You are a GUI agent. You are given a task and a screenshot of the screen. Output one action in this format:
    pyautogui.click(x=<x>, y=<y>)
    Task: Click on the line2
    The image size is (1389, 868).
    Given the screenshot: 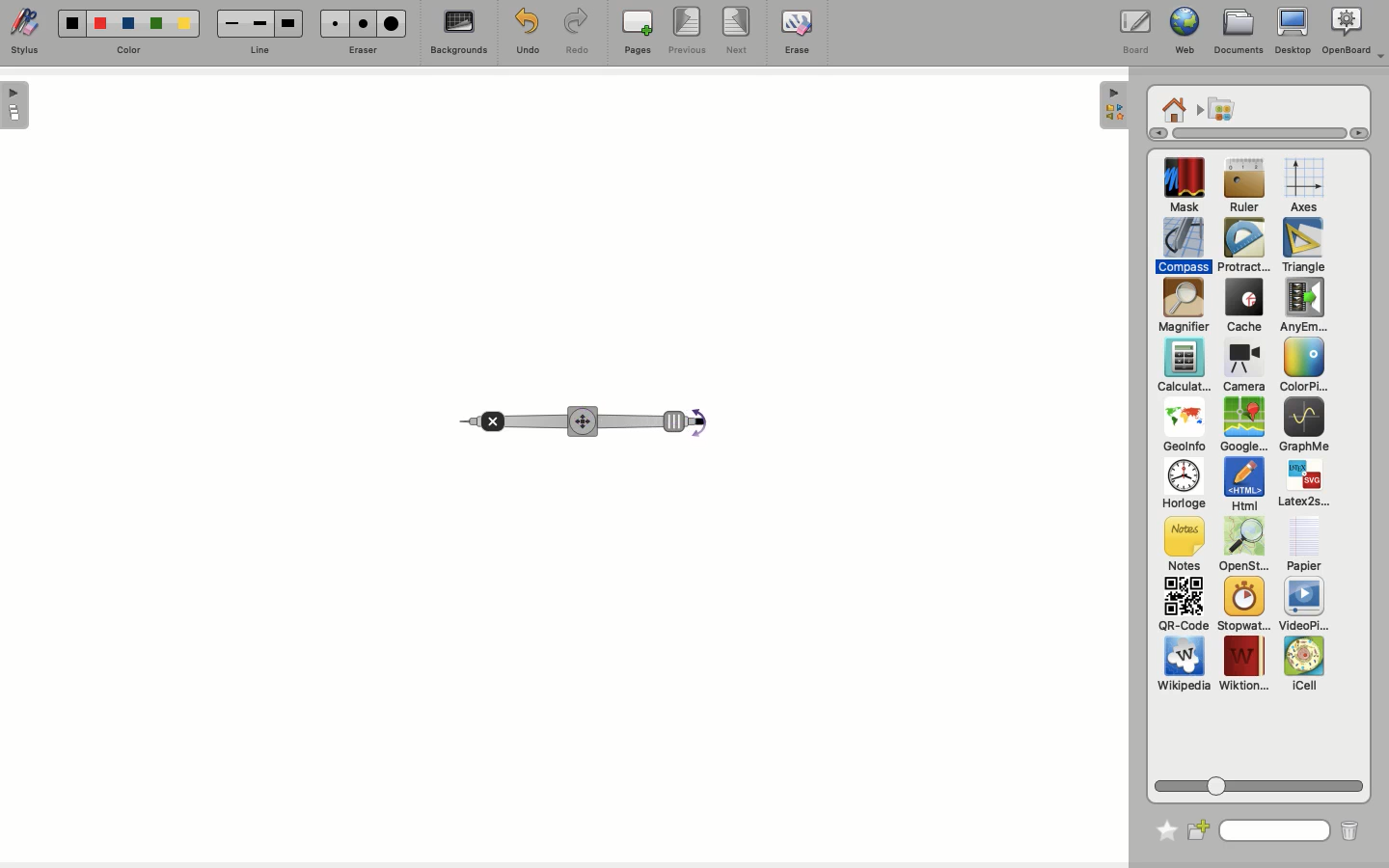 What is the action you would take?
    pyautogui.click(x=259, y=23)
    